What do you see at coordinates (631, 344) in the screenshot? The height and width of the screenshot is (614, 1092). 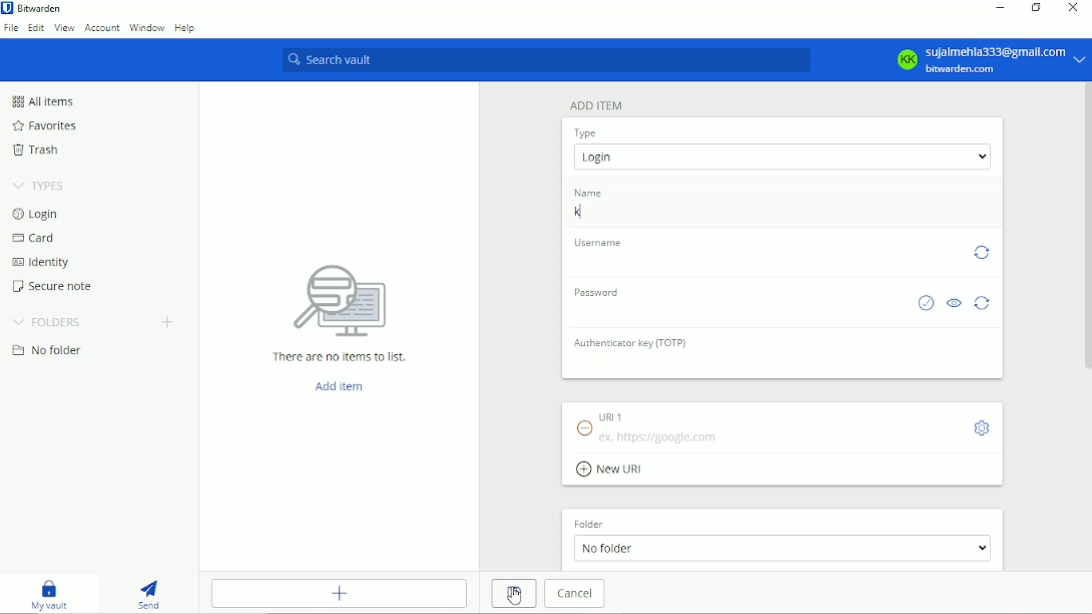 I see `Authenticator key (TOTP)` at bounding box center [631, 344].